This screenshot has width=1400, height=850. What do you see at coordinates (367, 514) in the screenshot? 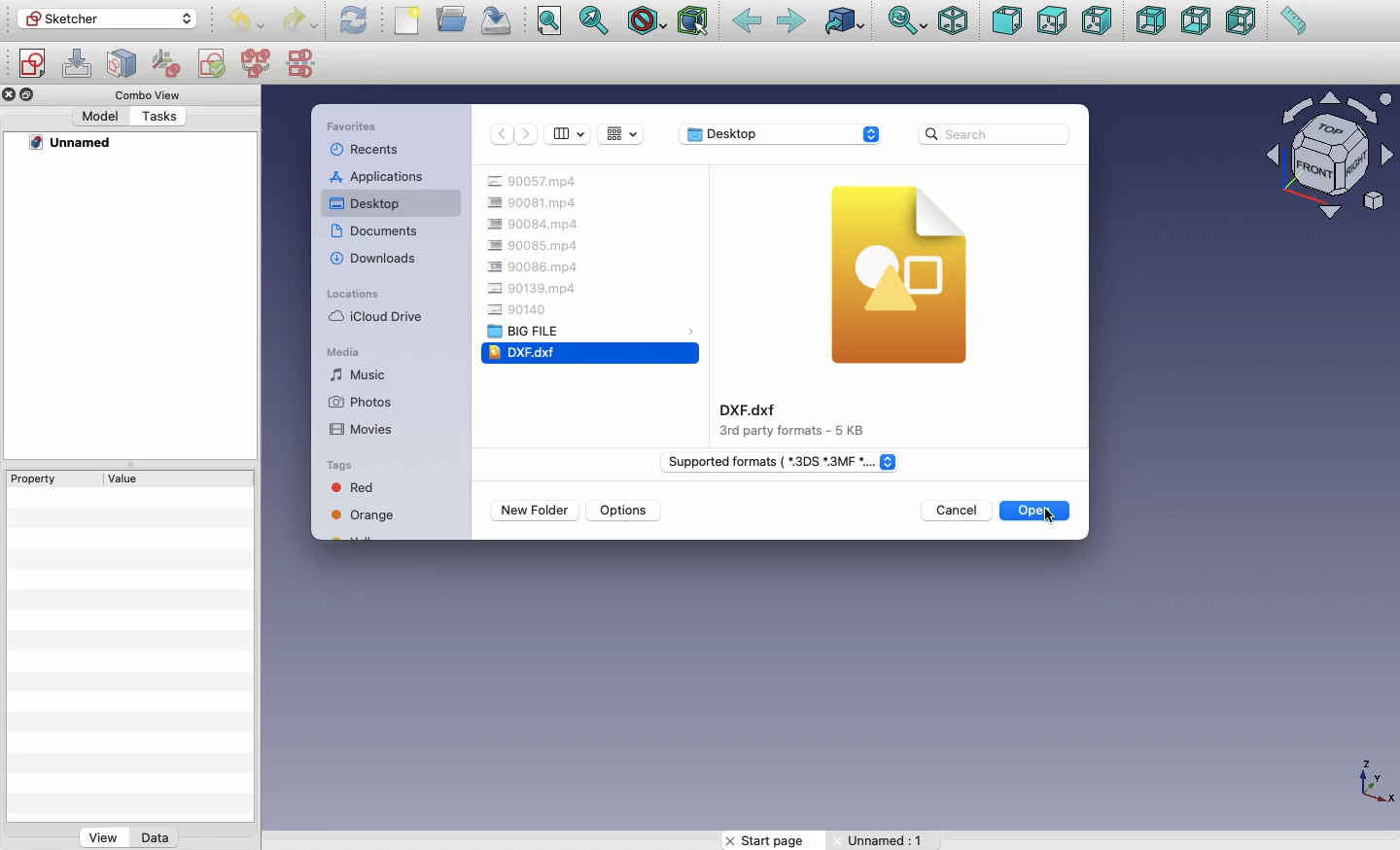
I see `Orange` at bounding box center [367, 514].